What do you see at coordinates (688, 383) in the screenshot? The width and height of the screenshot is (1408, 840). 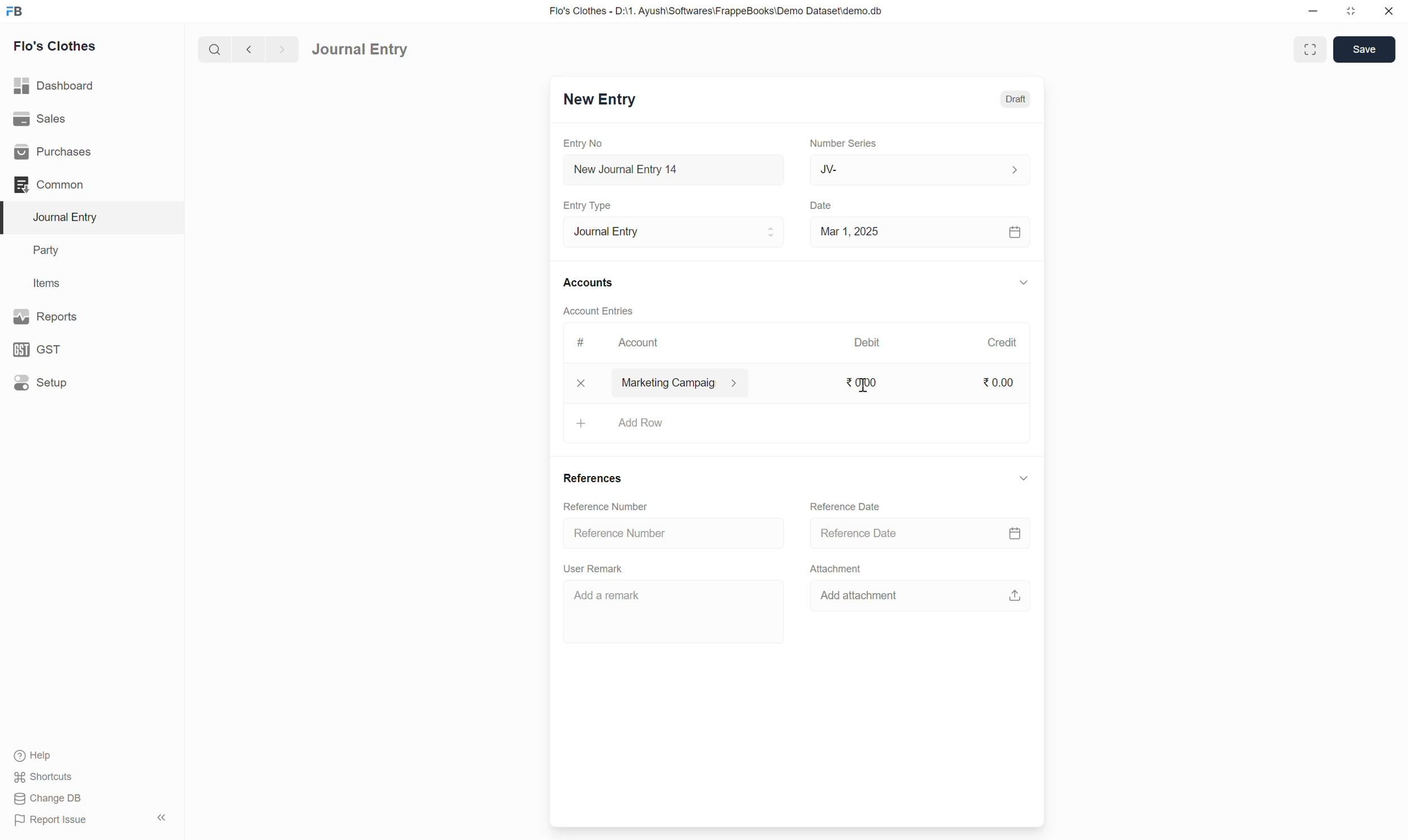 I see `marketing campaig` at bounding box center [688, 383].